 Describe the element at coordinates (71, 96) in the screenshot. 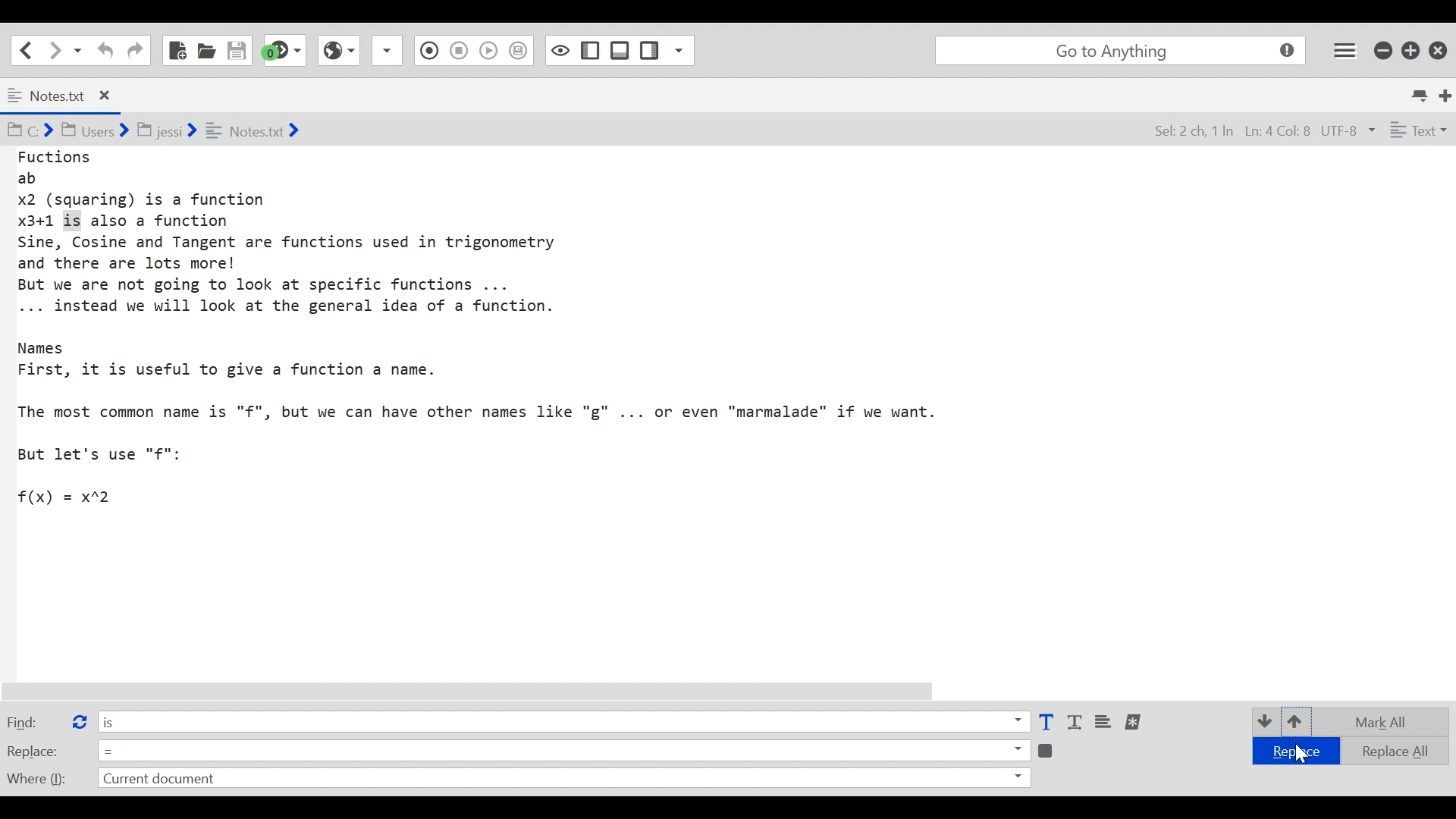

I see `Notes.txt` at that location.